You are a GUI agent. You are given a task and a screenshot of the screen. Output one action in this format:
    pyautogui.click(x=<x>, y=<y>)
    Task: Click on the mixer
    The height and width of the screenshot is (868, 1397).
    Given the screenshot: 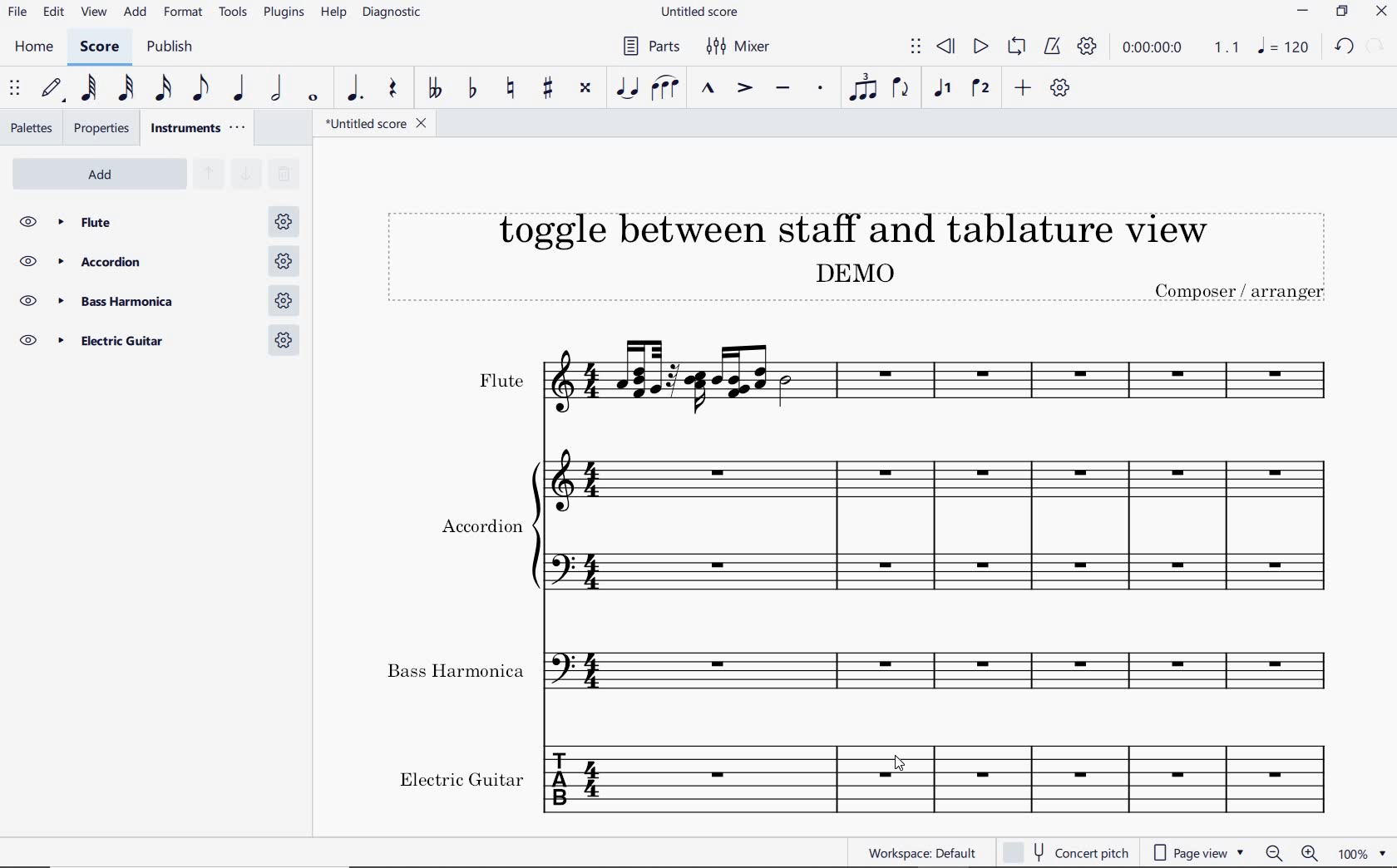 What is the action you would take?
    pyautogui.click(x=741, y=48)
    